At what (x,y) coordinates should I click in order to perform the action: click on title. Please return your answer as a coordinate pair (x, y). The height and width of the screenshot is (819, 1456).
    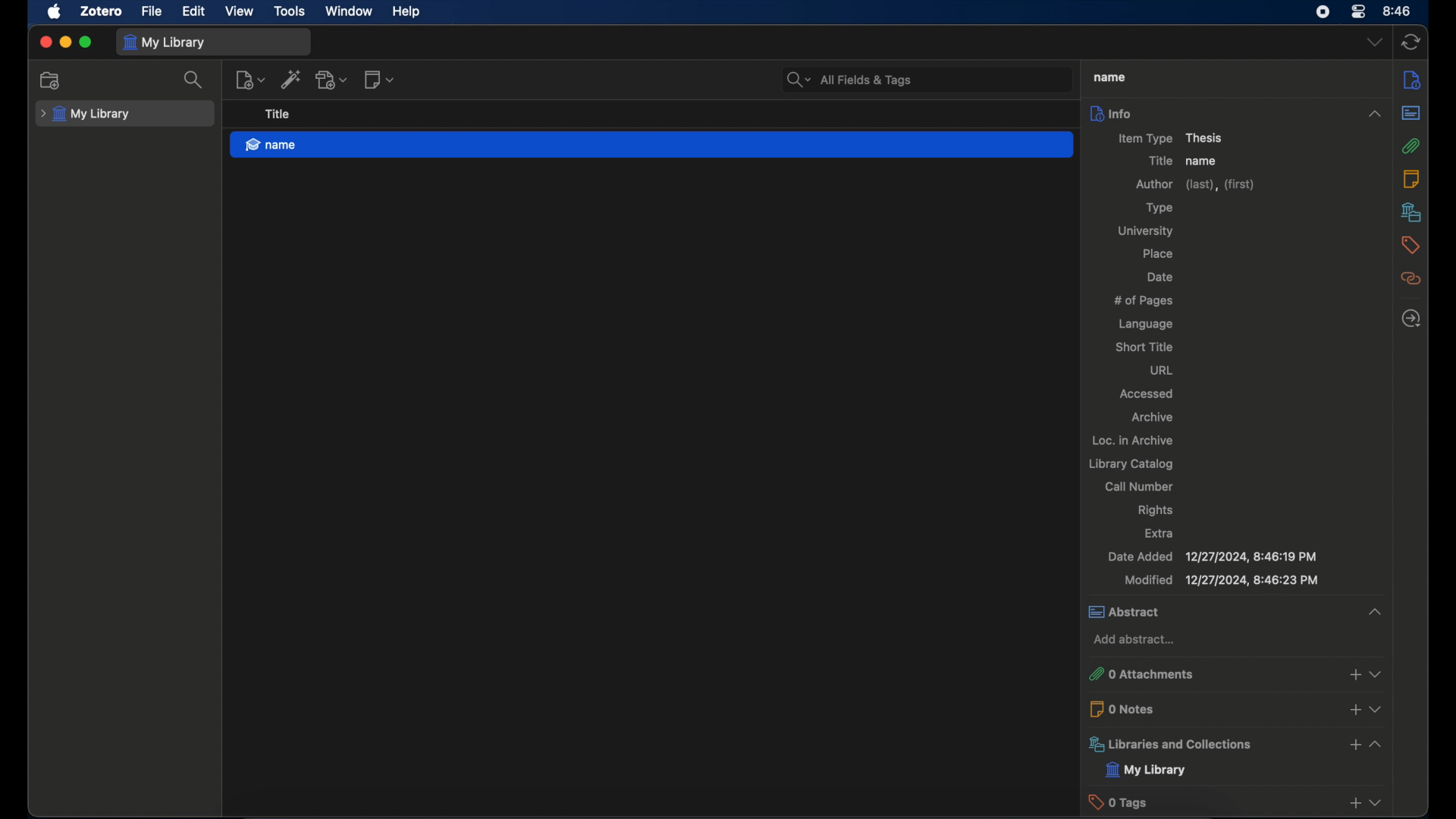
    Looking at the image, I should click on (1157, 162).